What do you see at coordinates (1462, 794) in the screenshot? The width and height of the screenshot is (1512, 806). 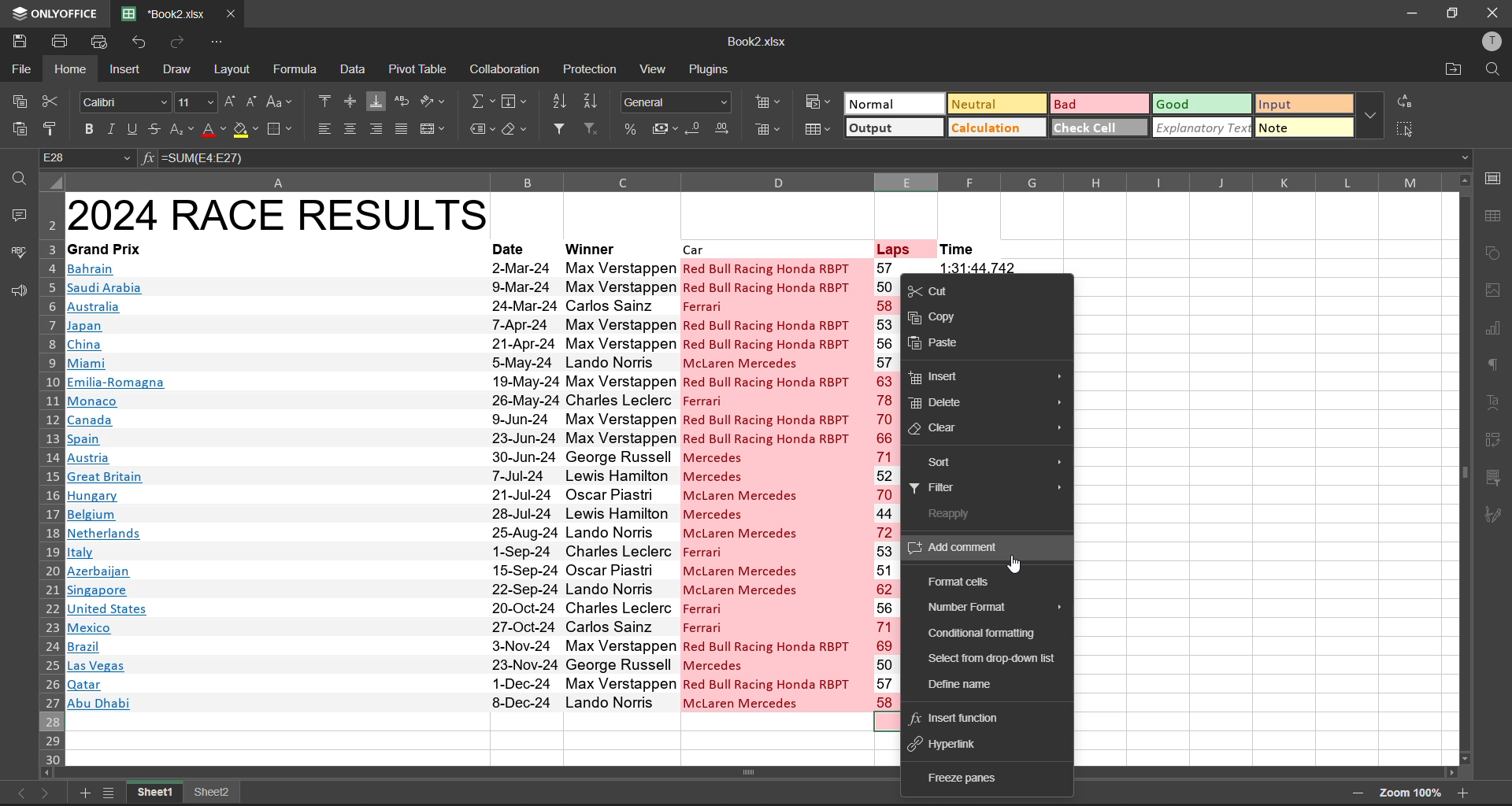 I see `zoom in` at bounding box center [1462, 794].